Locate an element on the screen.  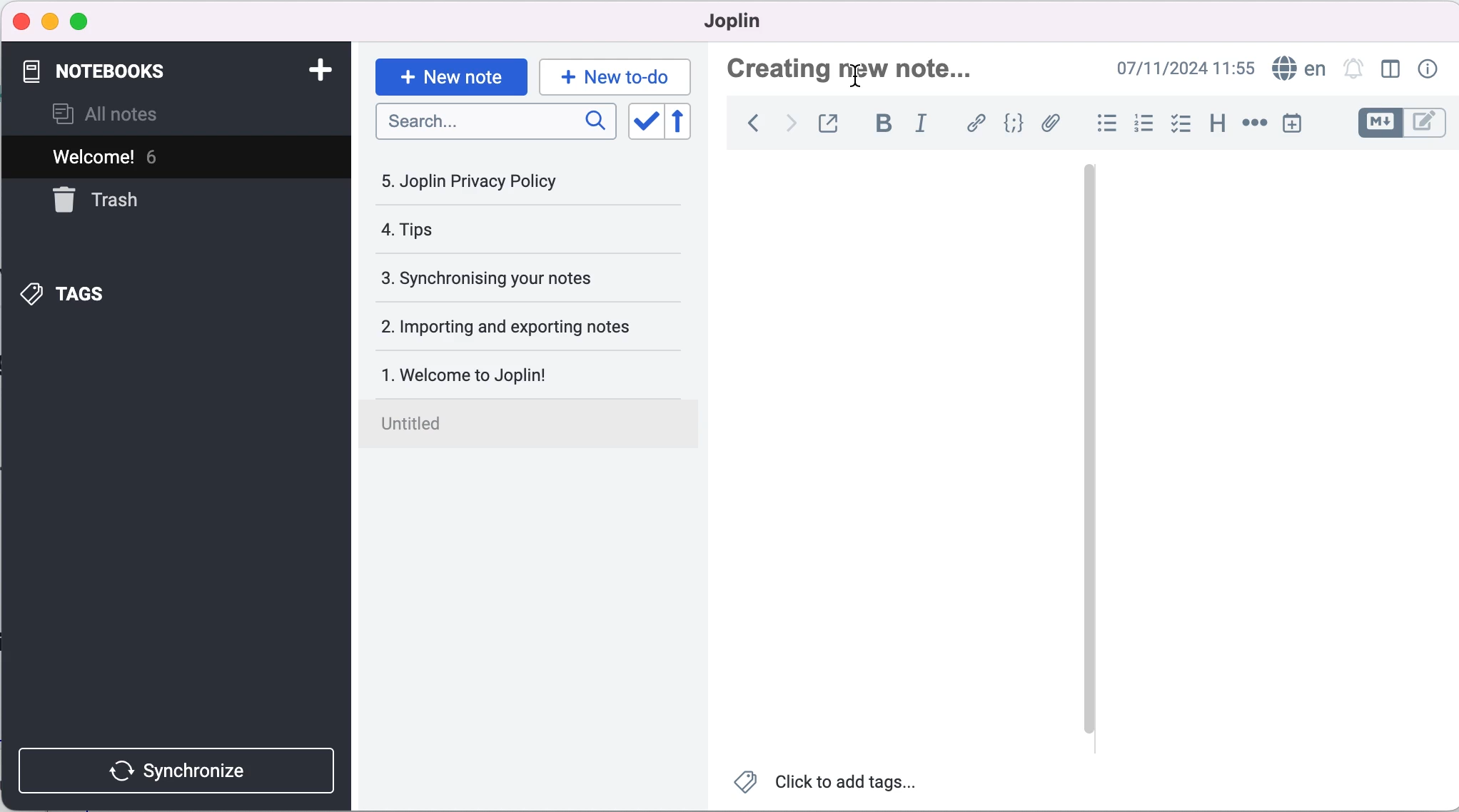
joplin privacy policy is located at coordinates (486, 181).